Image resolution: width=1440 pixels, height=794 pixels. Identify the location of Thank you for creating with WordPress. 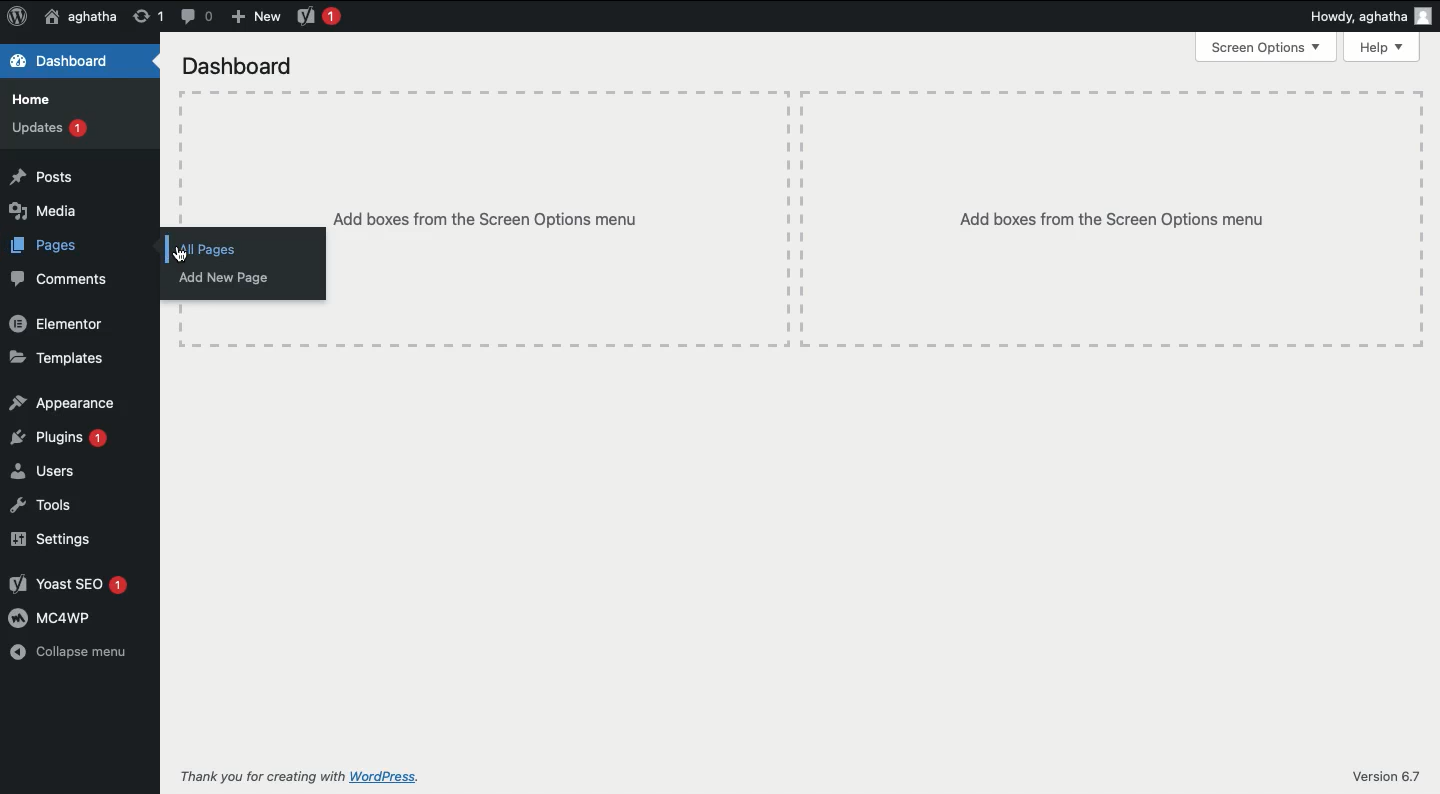
(299, 776).